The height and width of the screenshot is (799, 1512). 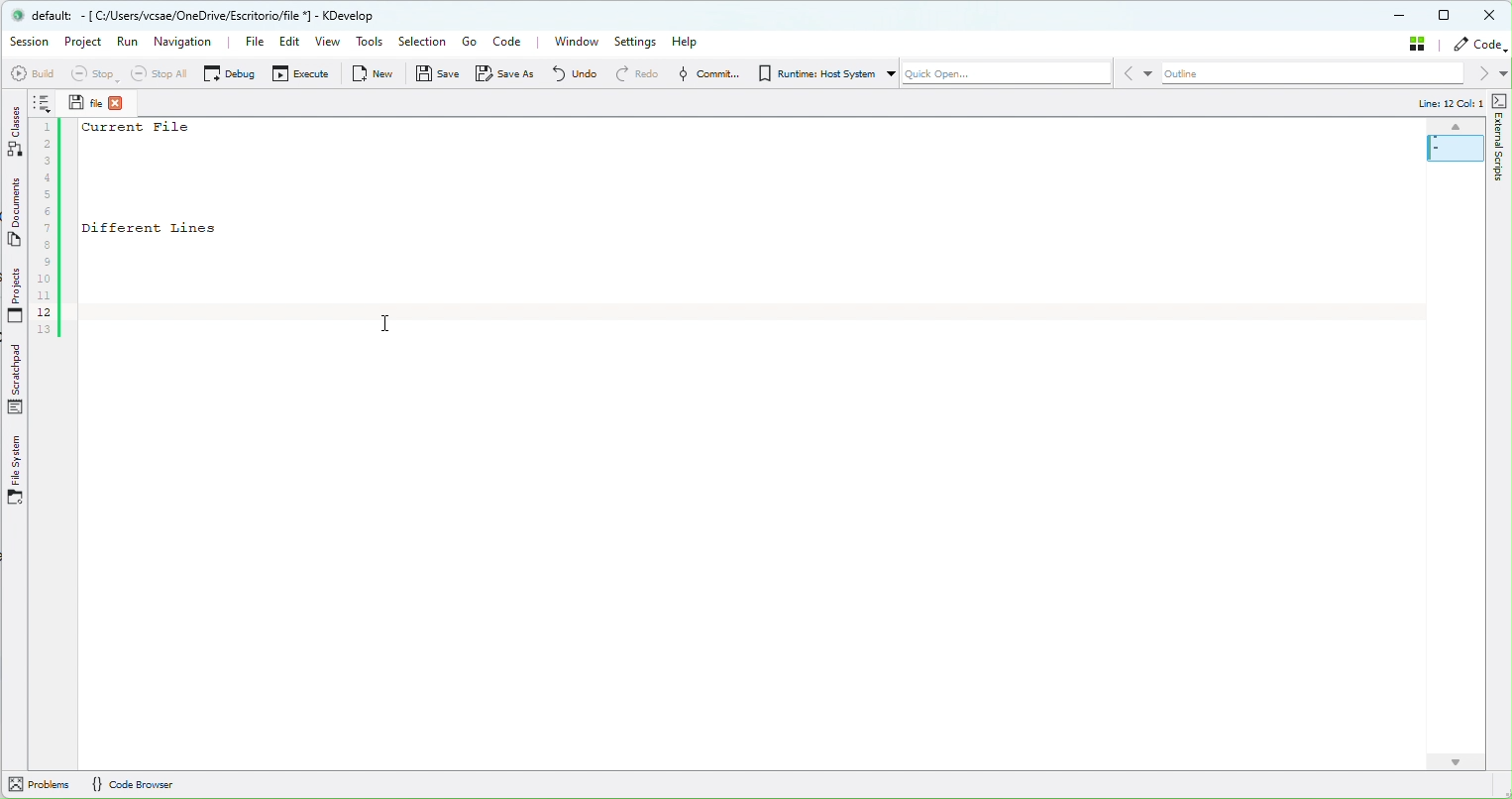 What do you see at coordinates (10, 133) in the screenshot?
I see `Classes` at bounding box center [10, 133].